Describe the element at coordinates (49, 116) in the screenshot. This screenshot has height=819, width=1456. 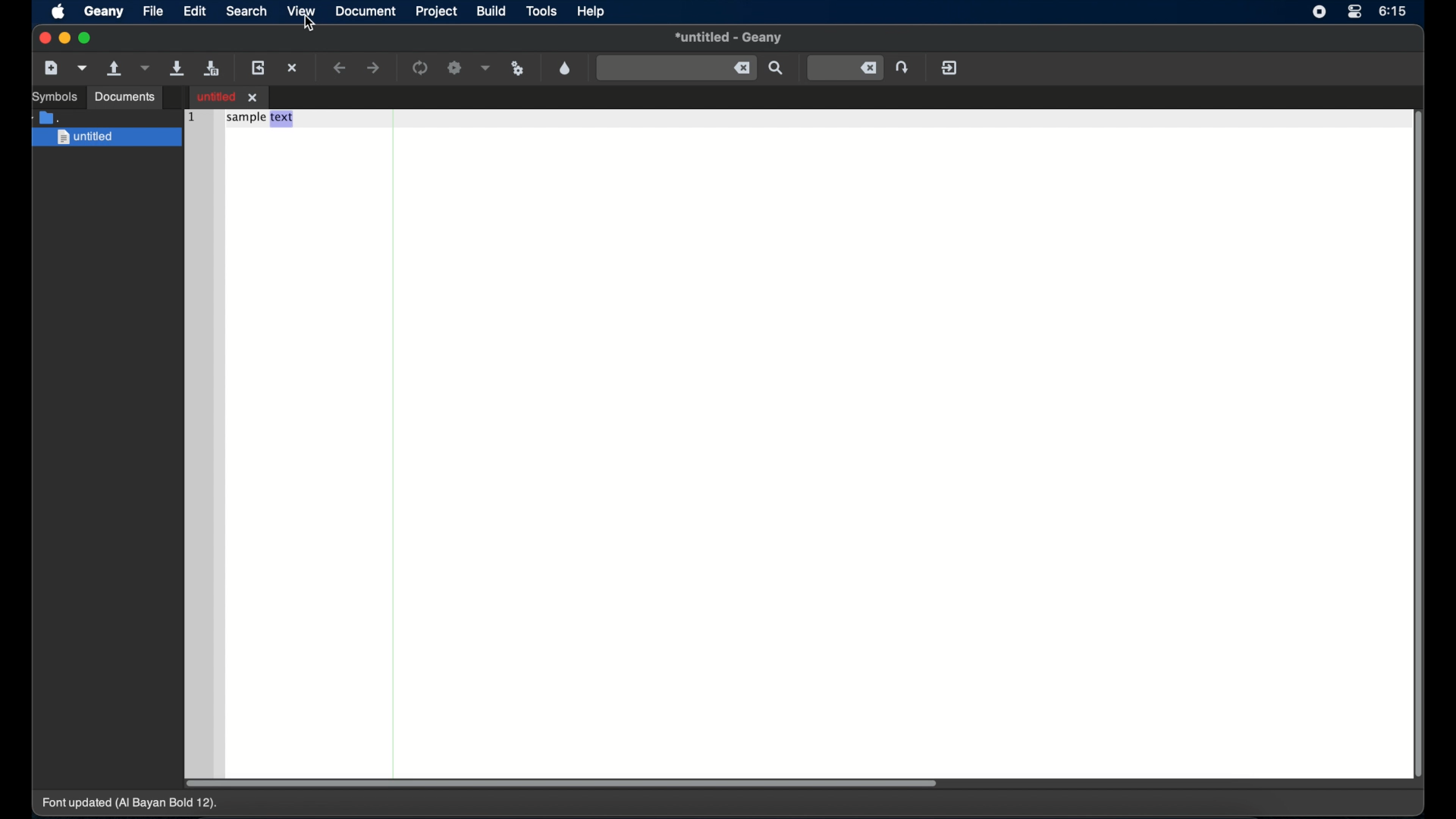
I see `documents` at that location.